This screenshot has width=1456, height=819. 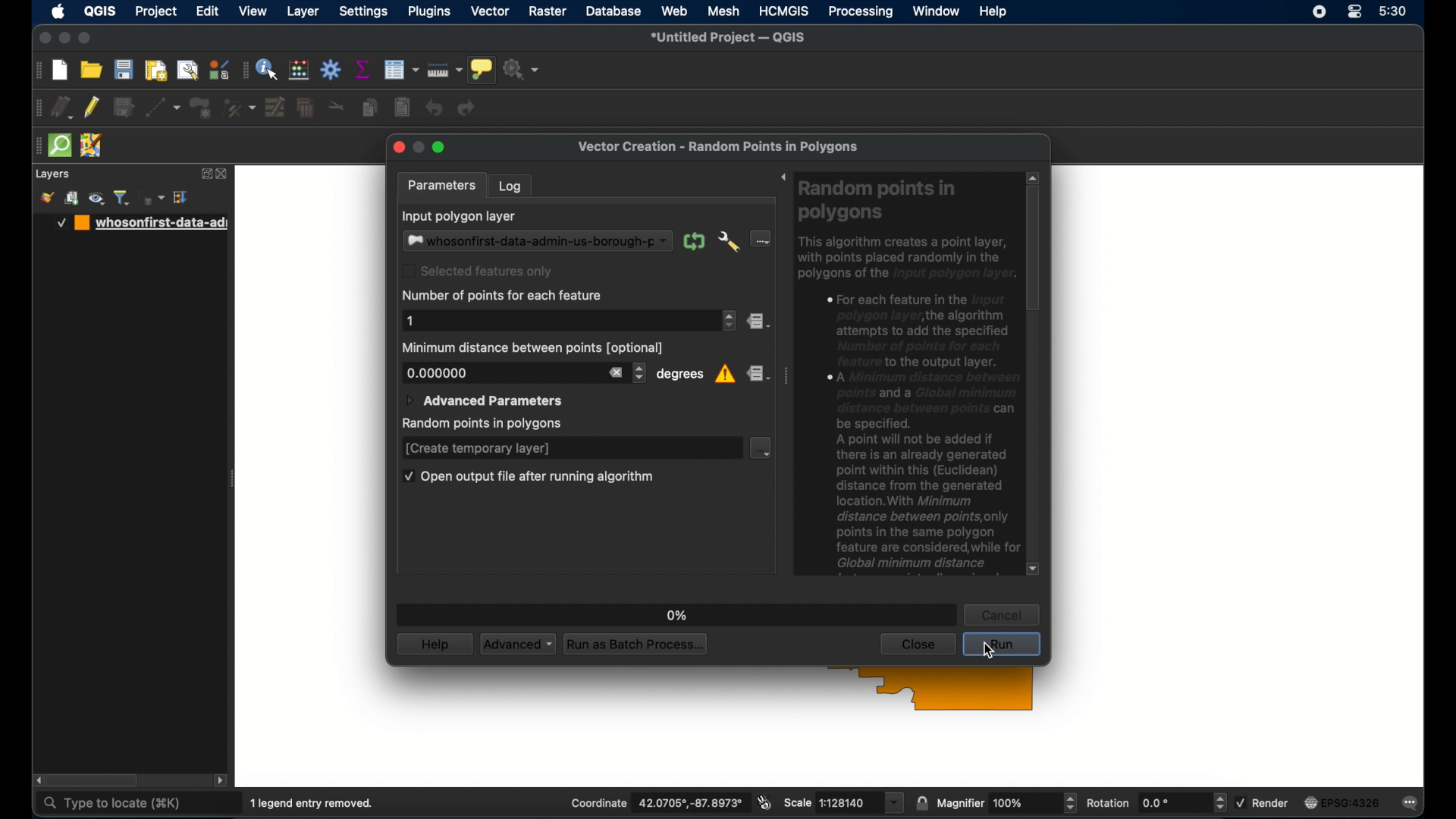 I want to click on toggle extents and  mouse display position , so click(x=764, y=802).